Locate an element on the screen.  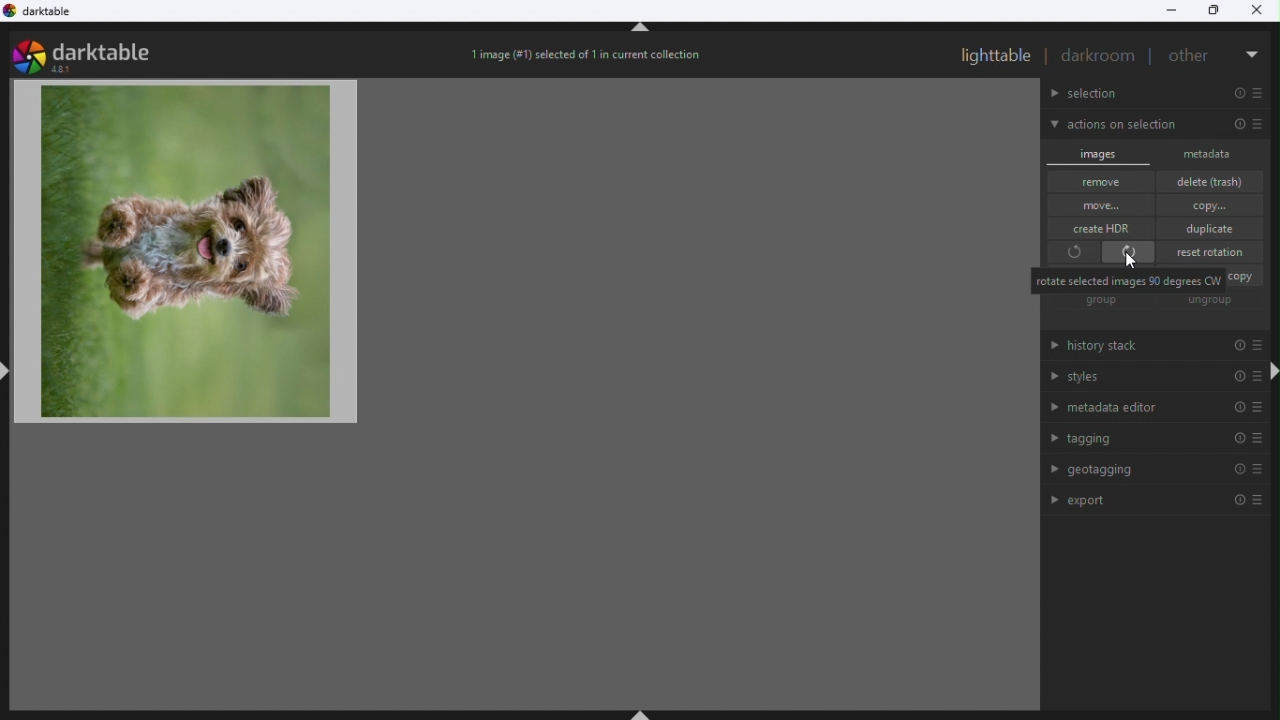
Action on selection is located at coordinates (1155, 125).